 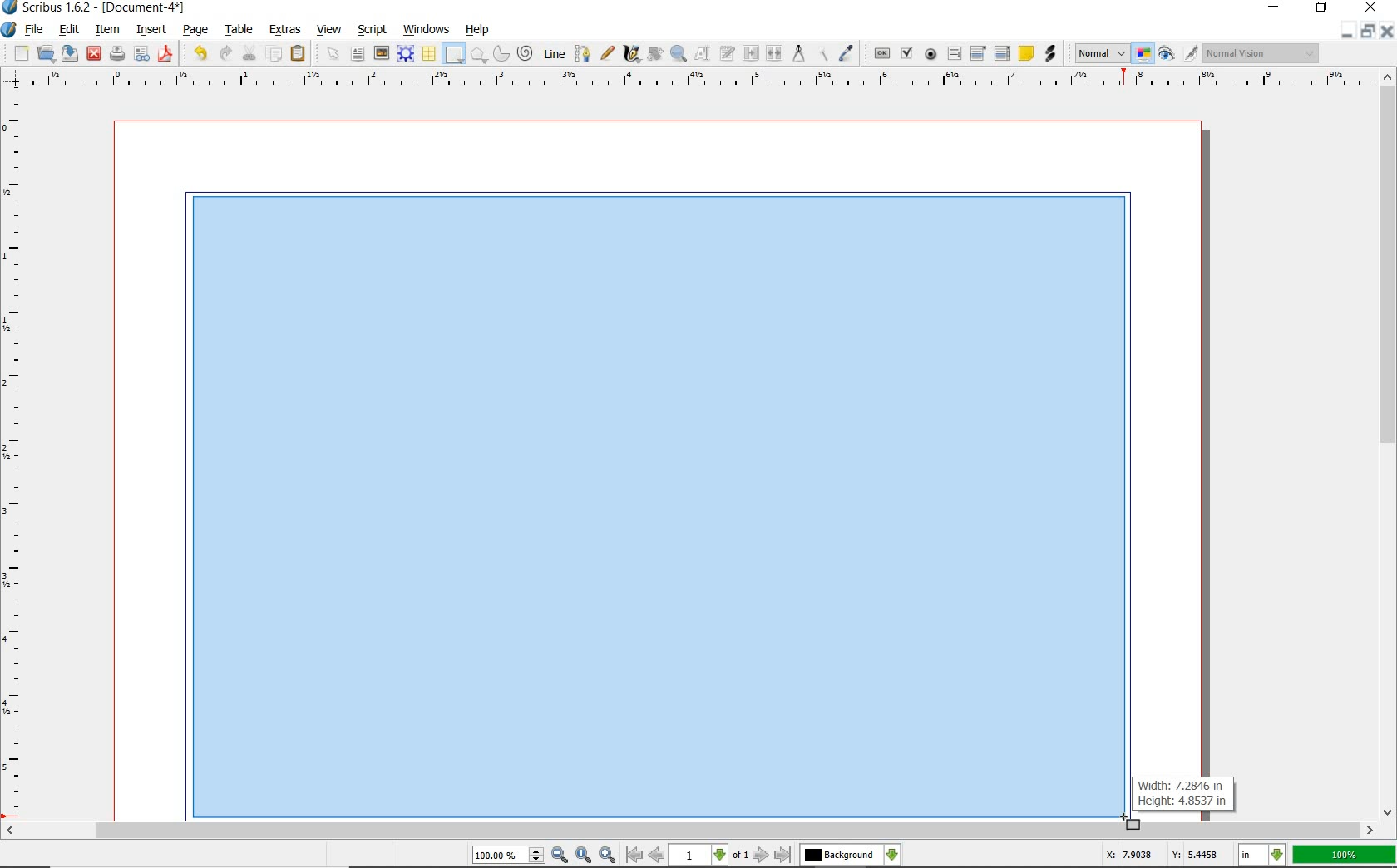 I want to click on new, so click(x=16, y=53).